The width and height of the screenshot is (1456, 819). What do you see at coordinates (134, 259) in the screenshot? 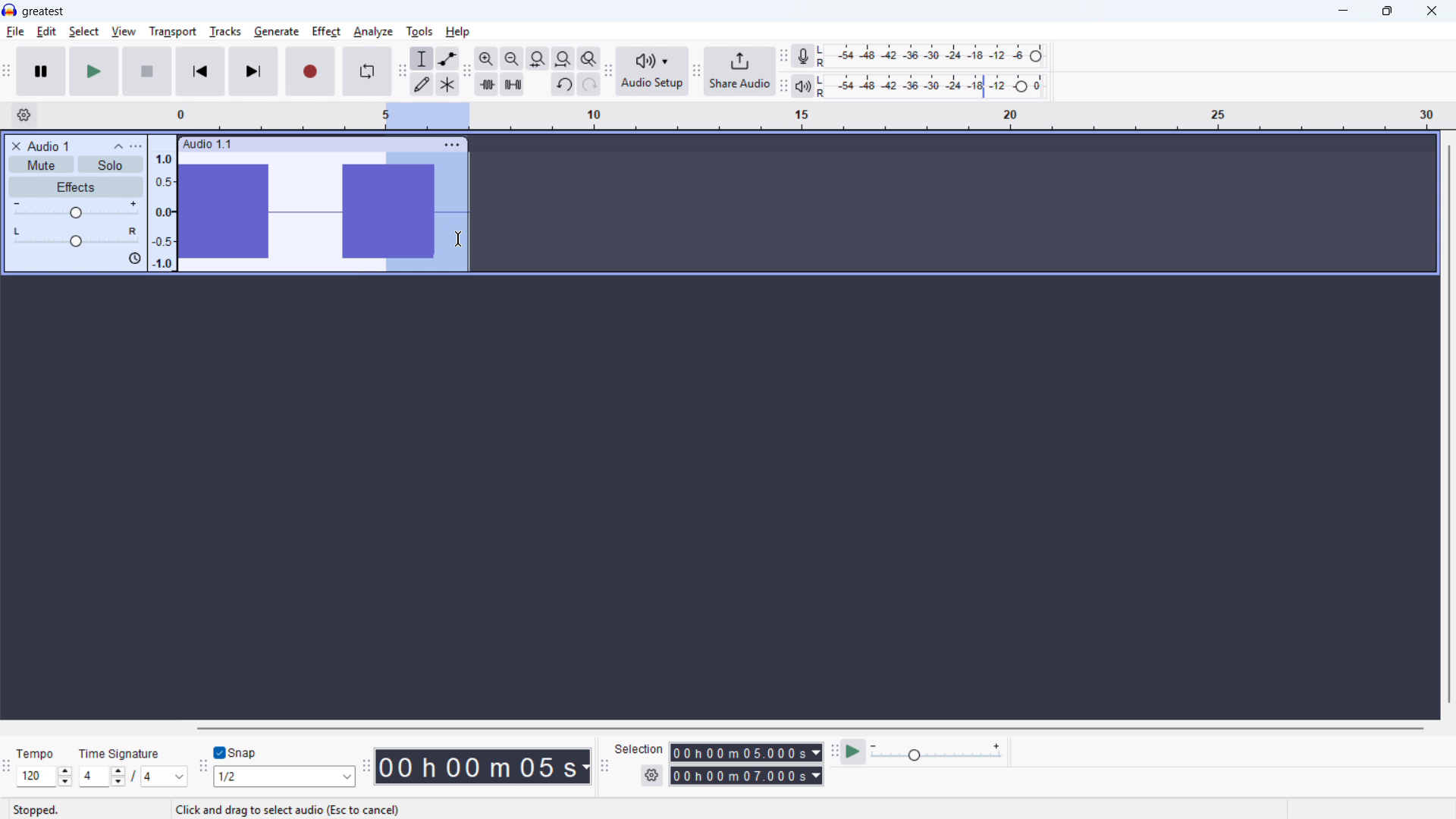
I see `sync-lock is on` at bounding box center [134, 259].